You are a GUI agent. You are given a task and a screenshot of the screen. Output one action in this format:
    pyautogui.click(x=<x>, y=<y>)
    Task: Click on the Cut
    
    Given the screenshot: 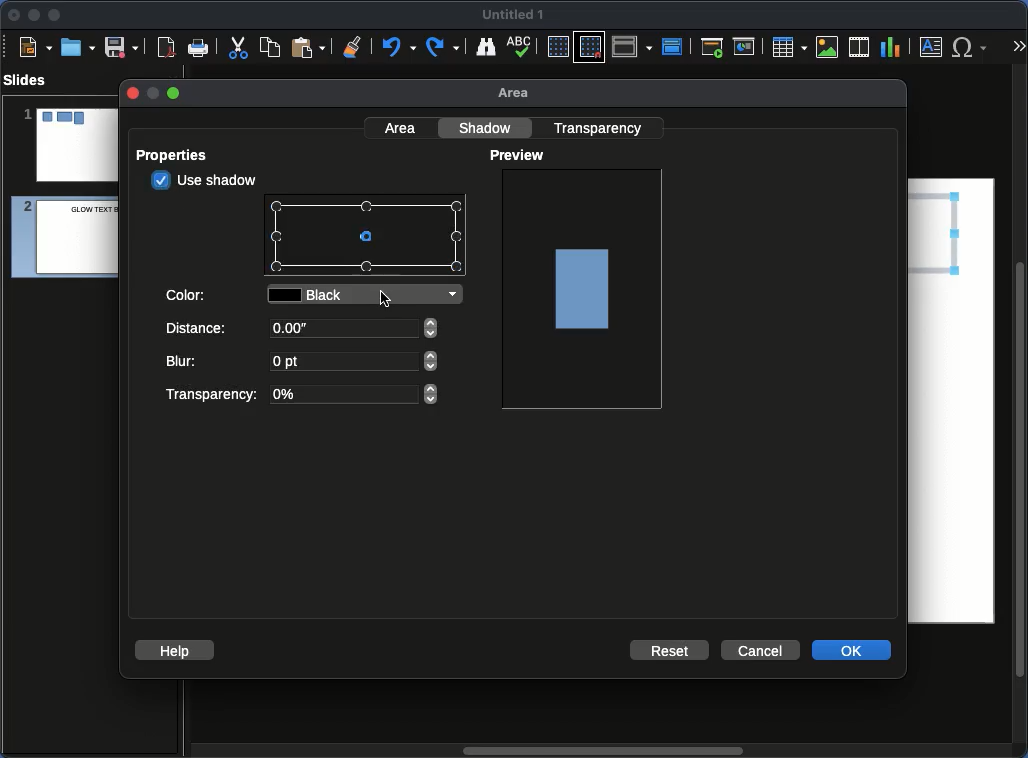 What is the action you would take?
    pyautogui.click(x=238, y=47)
    